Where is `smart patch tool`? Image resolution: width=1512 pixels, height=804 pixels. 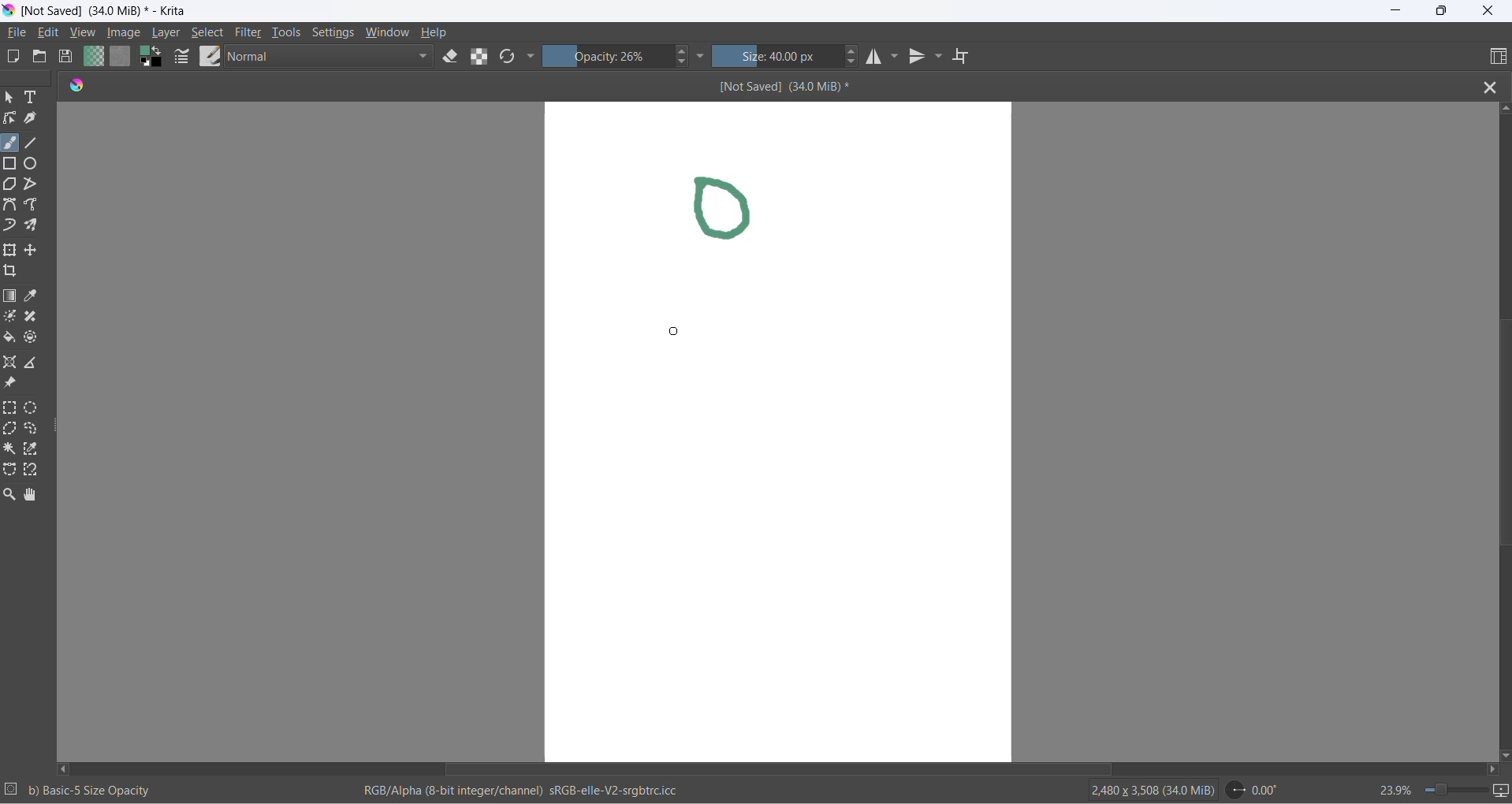 smart patch tool is located at coordinates (36, 318).